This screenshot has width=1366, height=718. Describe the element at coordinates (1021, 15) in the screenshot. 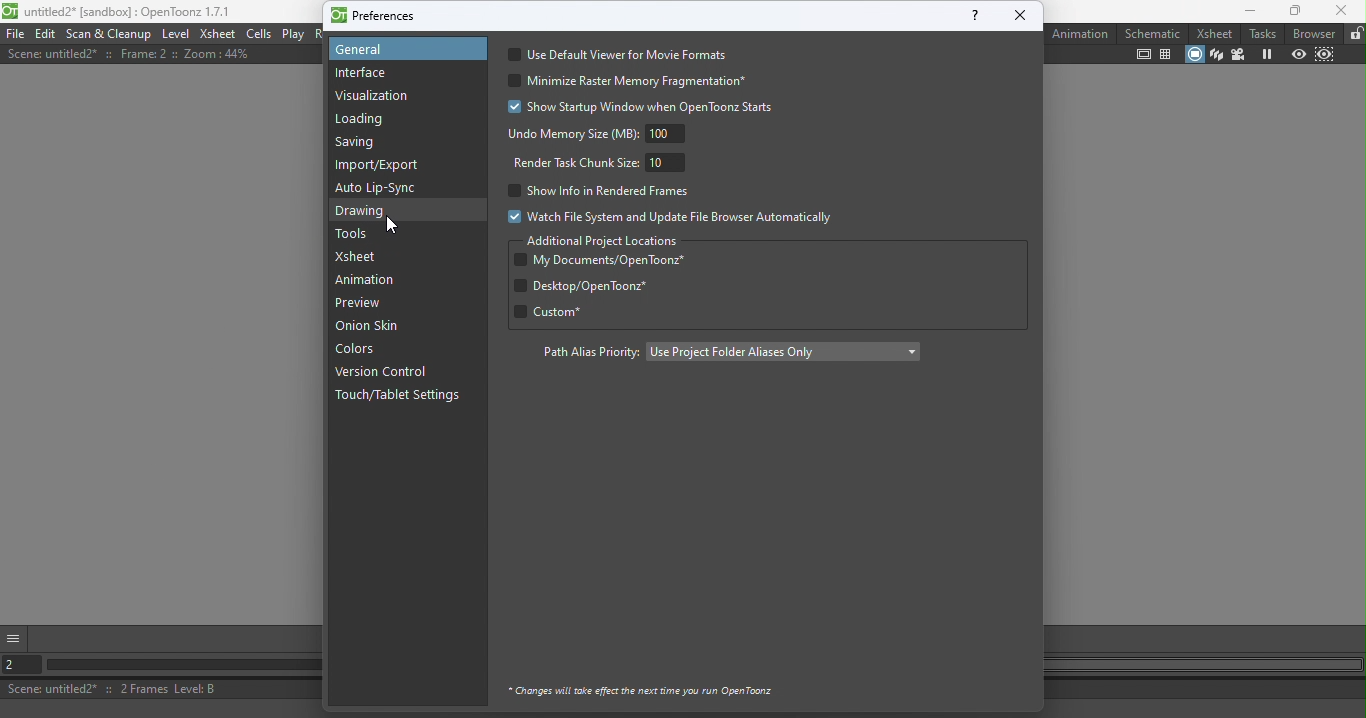

I see `close` at that location.